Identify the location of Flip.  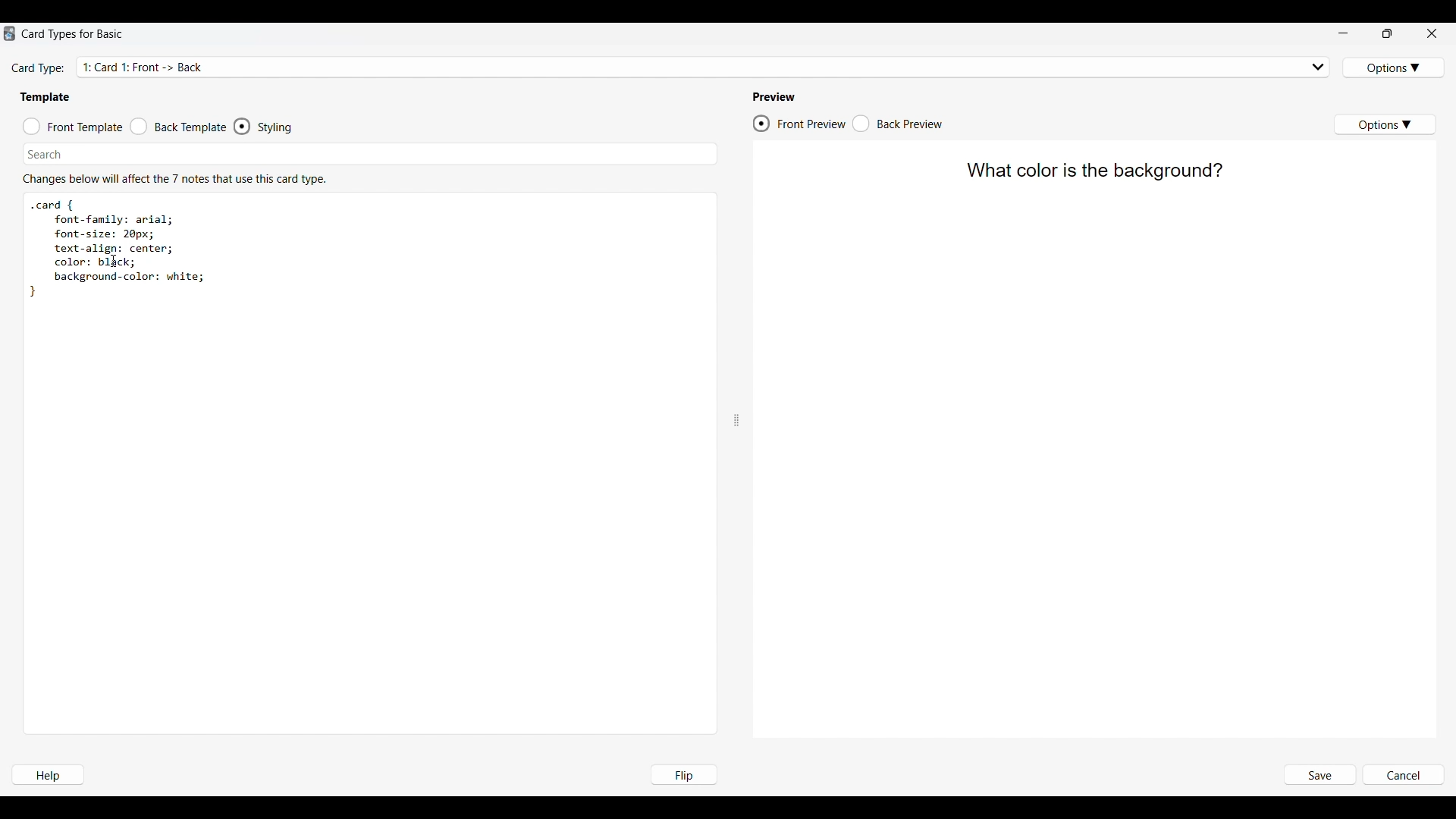
(683, 774).